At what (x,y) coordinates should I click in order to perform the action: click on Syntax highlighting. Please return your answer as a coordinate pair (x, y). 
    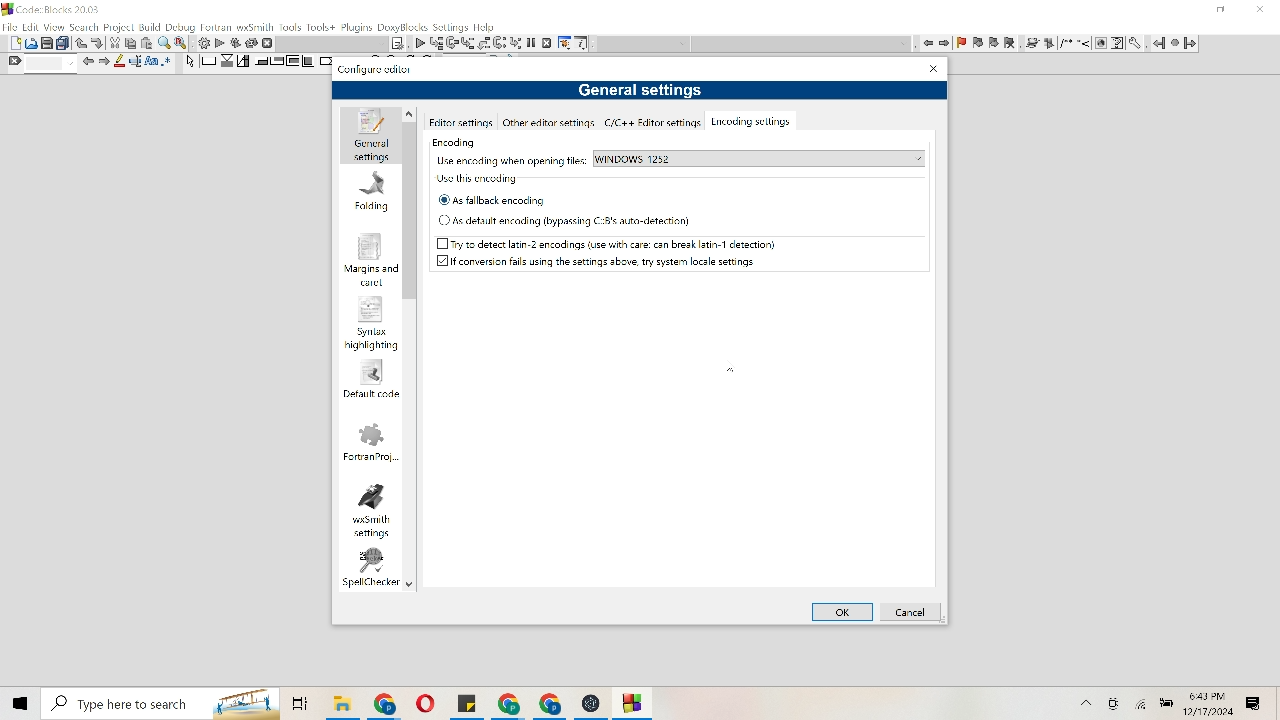
    Looking at the image, I should click on (370, 323).